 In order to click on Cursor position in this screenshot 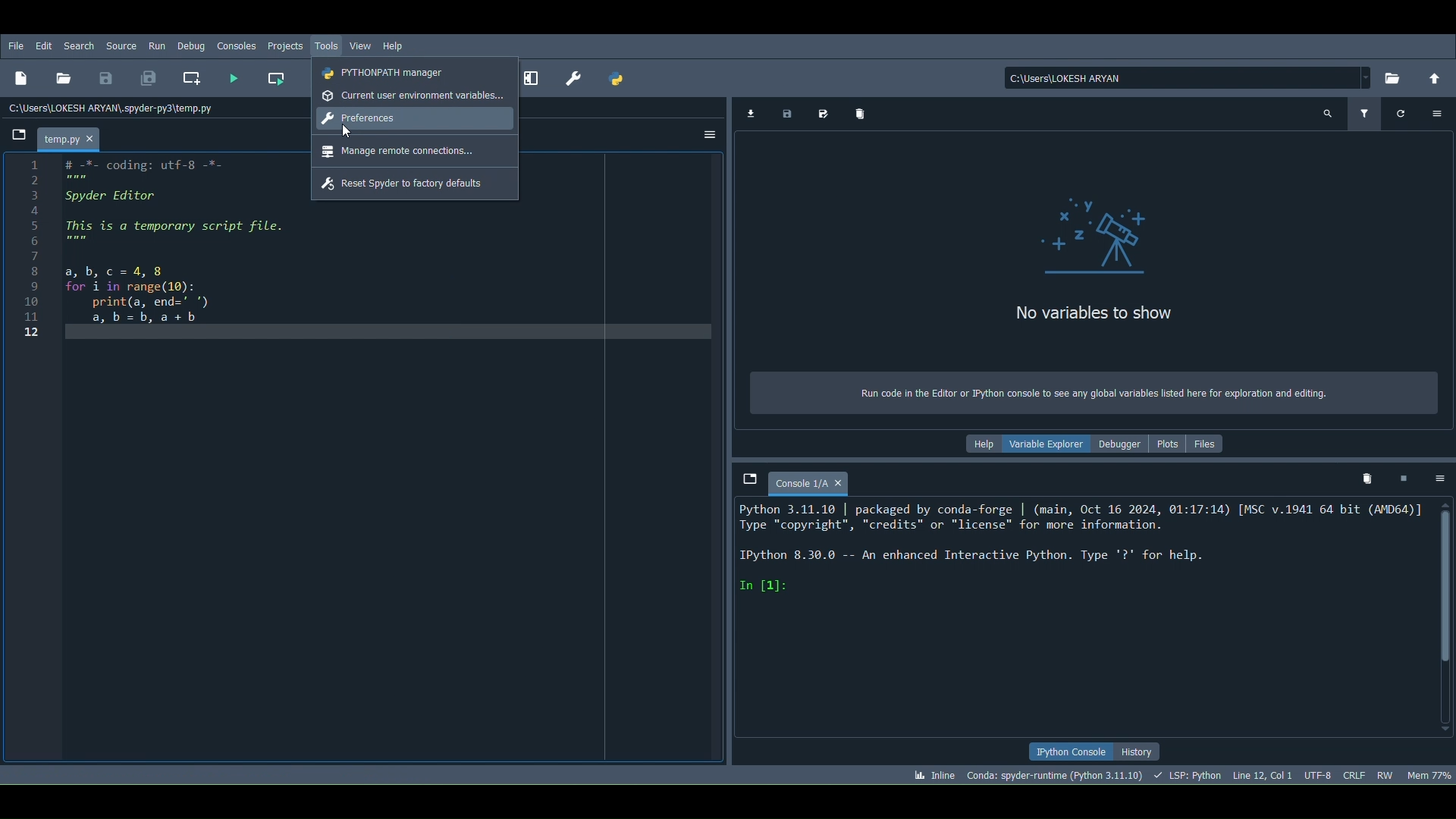, I will do `click(1260, 773)`.